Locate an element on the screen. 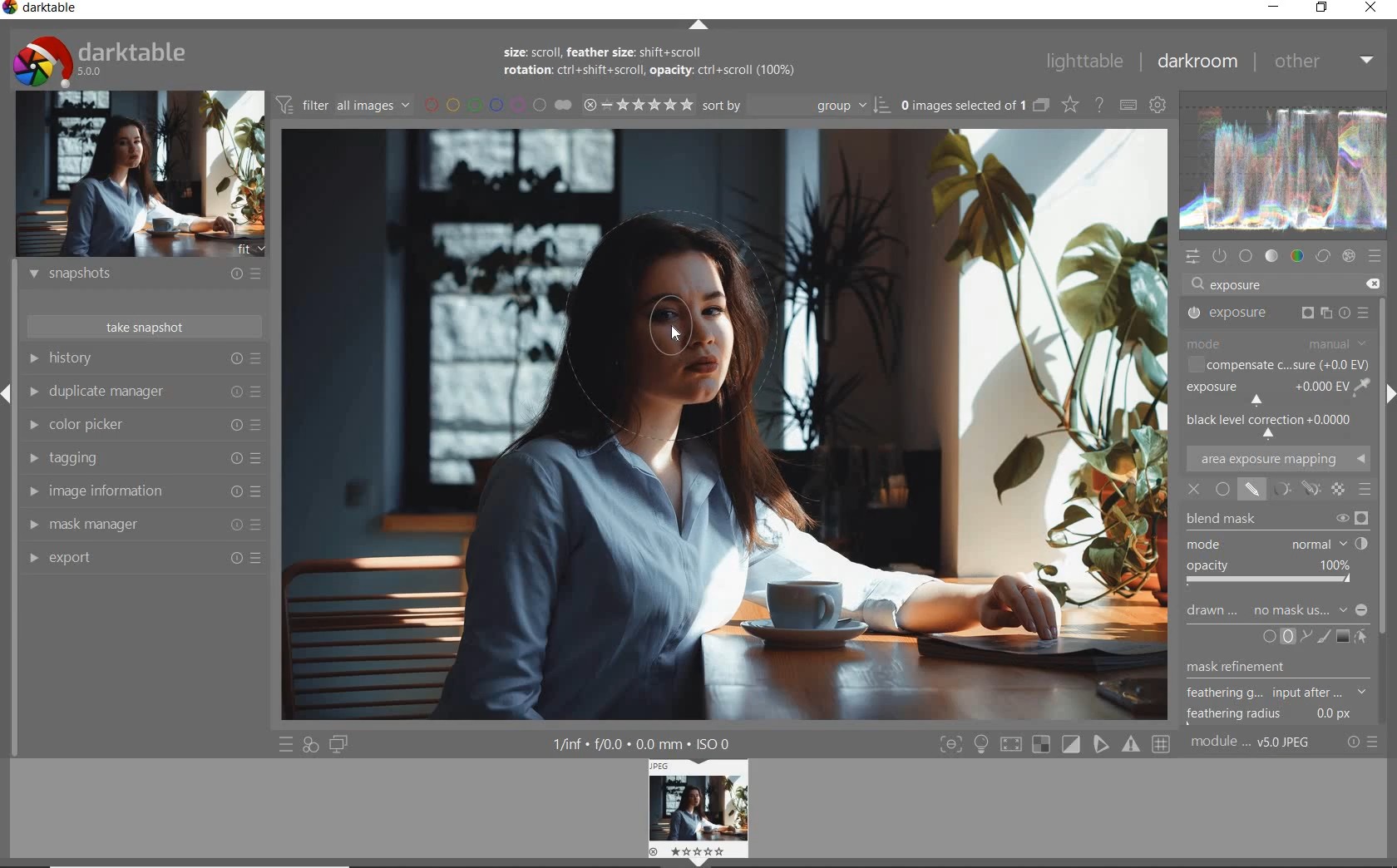  system logo is located at coordinates (101, 61).